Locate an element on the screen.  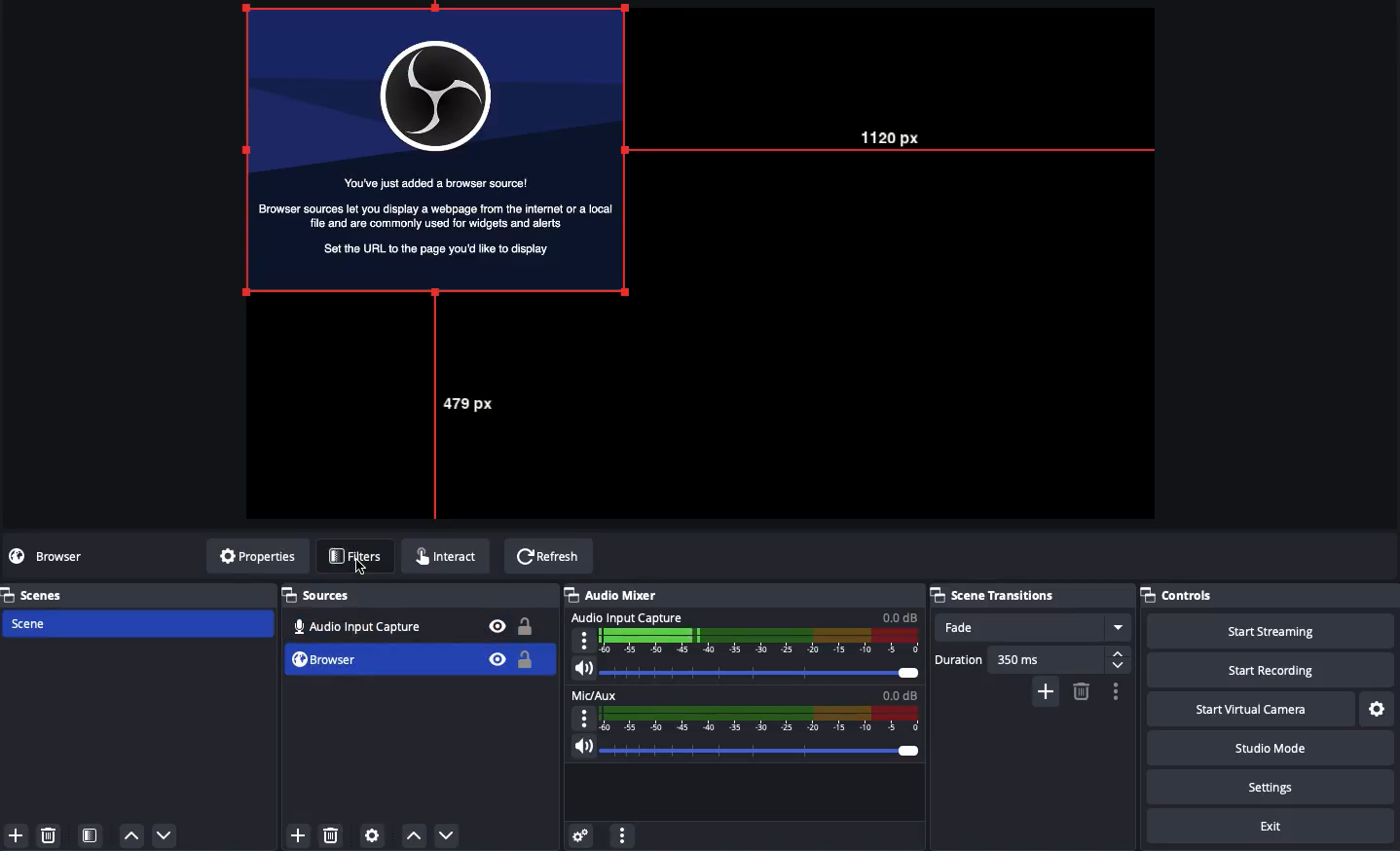
Options is located at coordinates (1117, 691).